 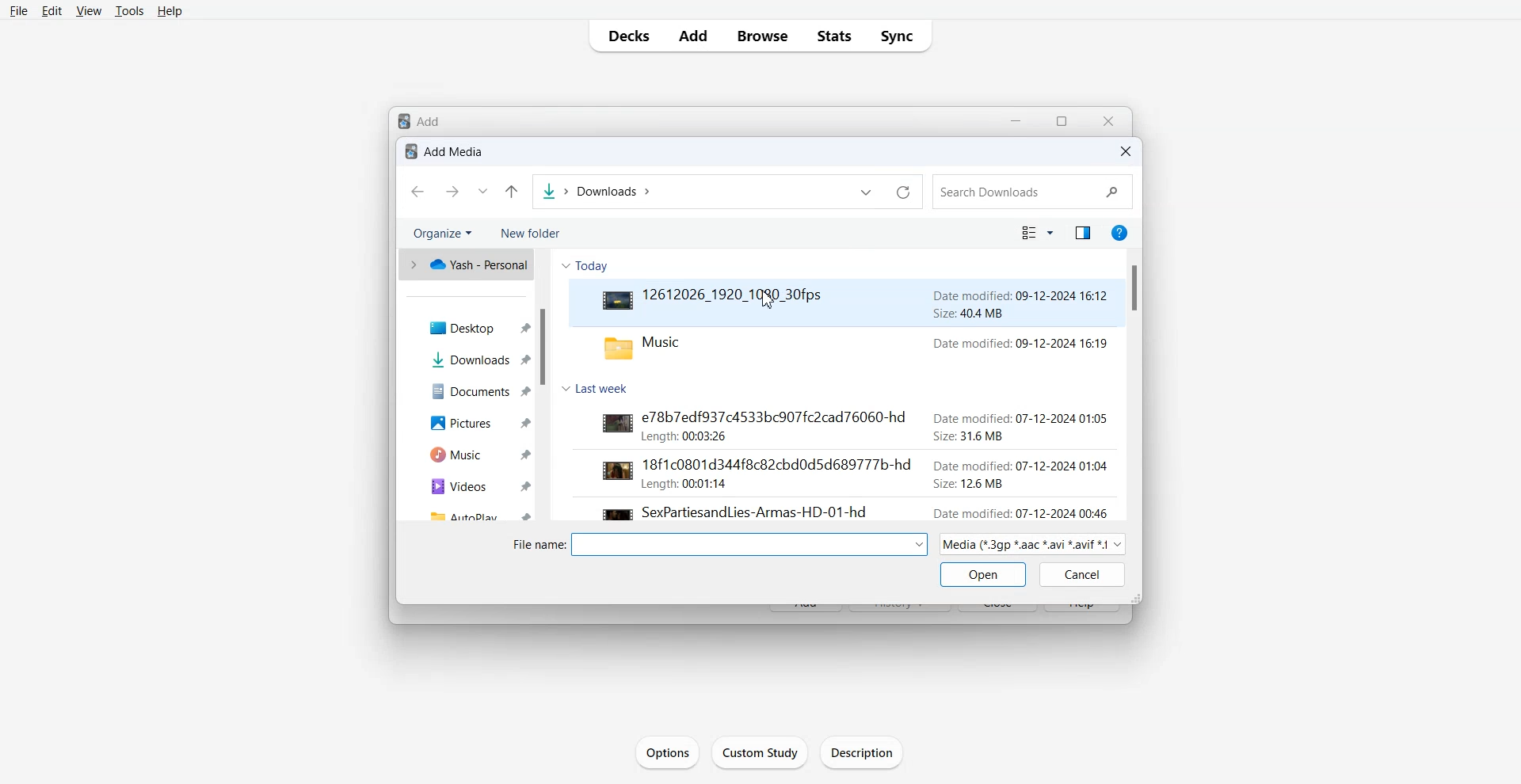 I want to click on Refresh, so click(x=903, y=191).